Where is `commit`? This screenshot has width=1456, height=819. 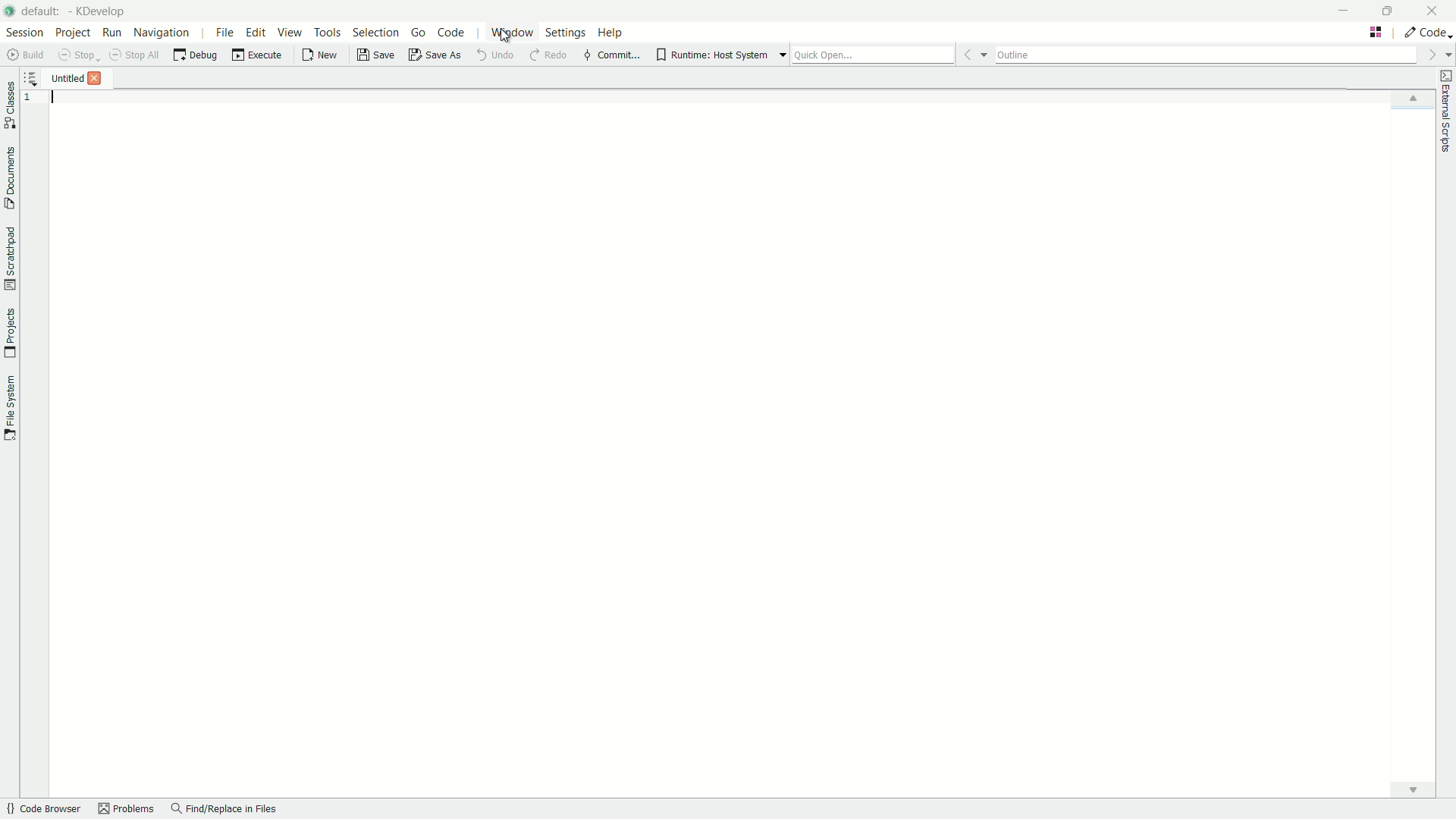
commit is located at coordinates (612, 54).